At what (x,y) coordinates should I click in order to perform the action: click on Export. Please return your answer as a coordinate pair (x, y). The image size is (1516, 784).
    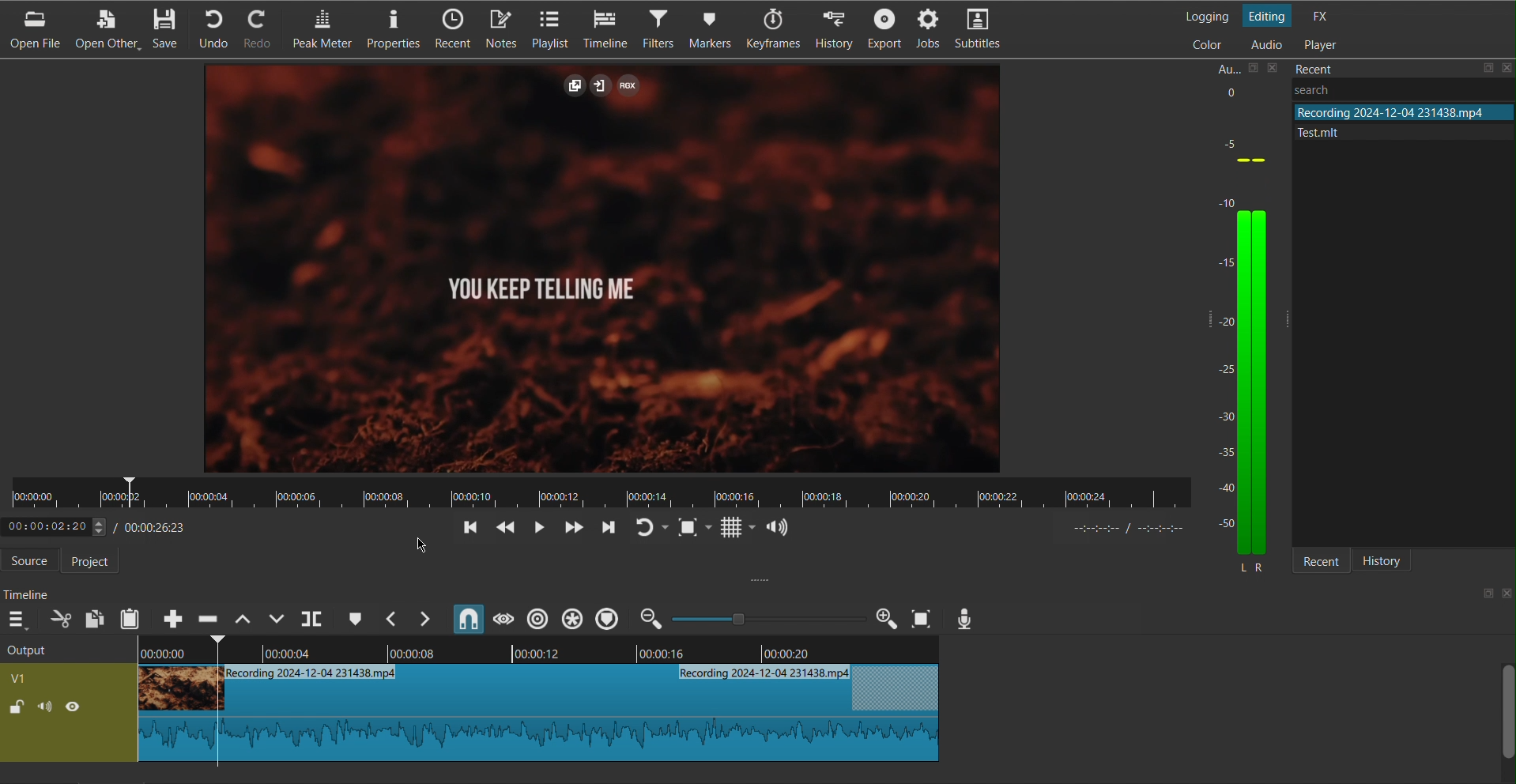
    Looking at the image, I should click on (886, 32).